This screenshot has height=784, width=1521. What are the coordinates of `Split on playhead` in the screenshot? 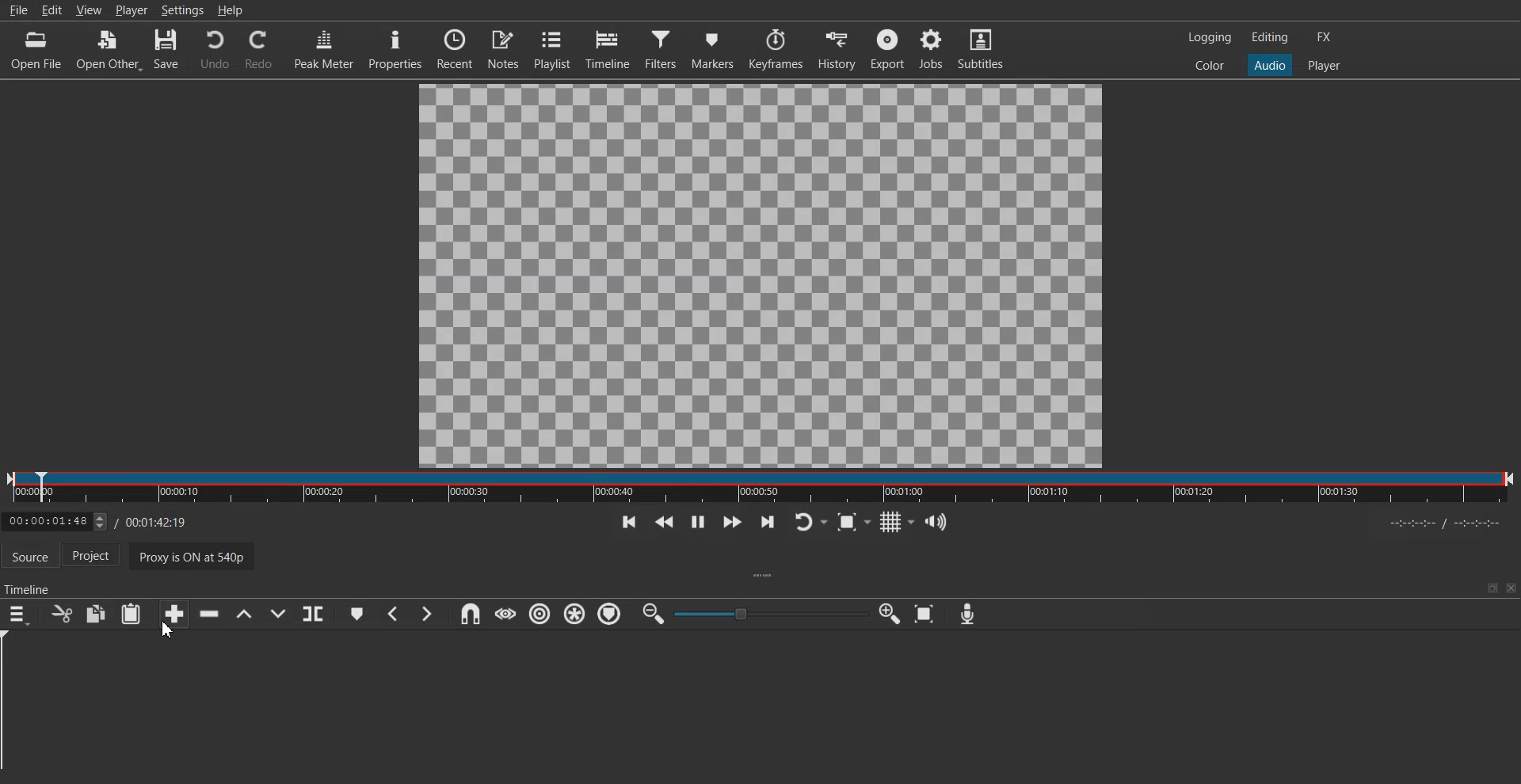 It's located at (314, 614).